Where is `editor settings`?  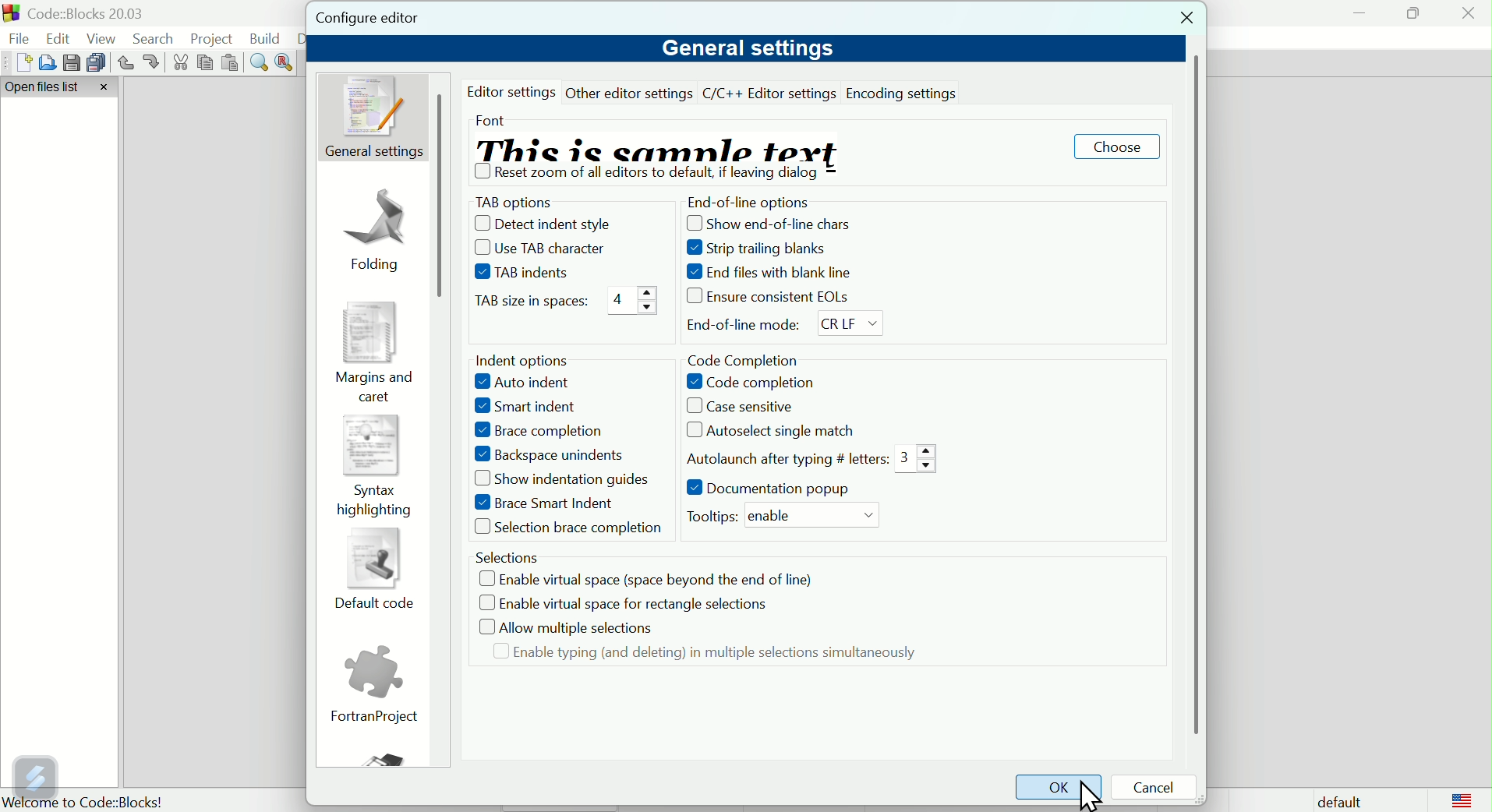 editor settings is located at coordinates (514, 92).